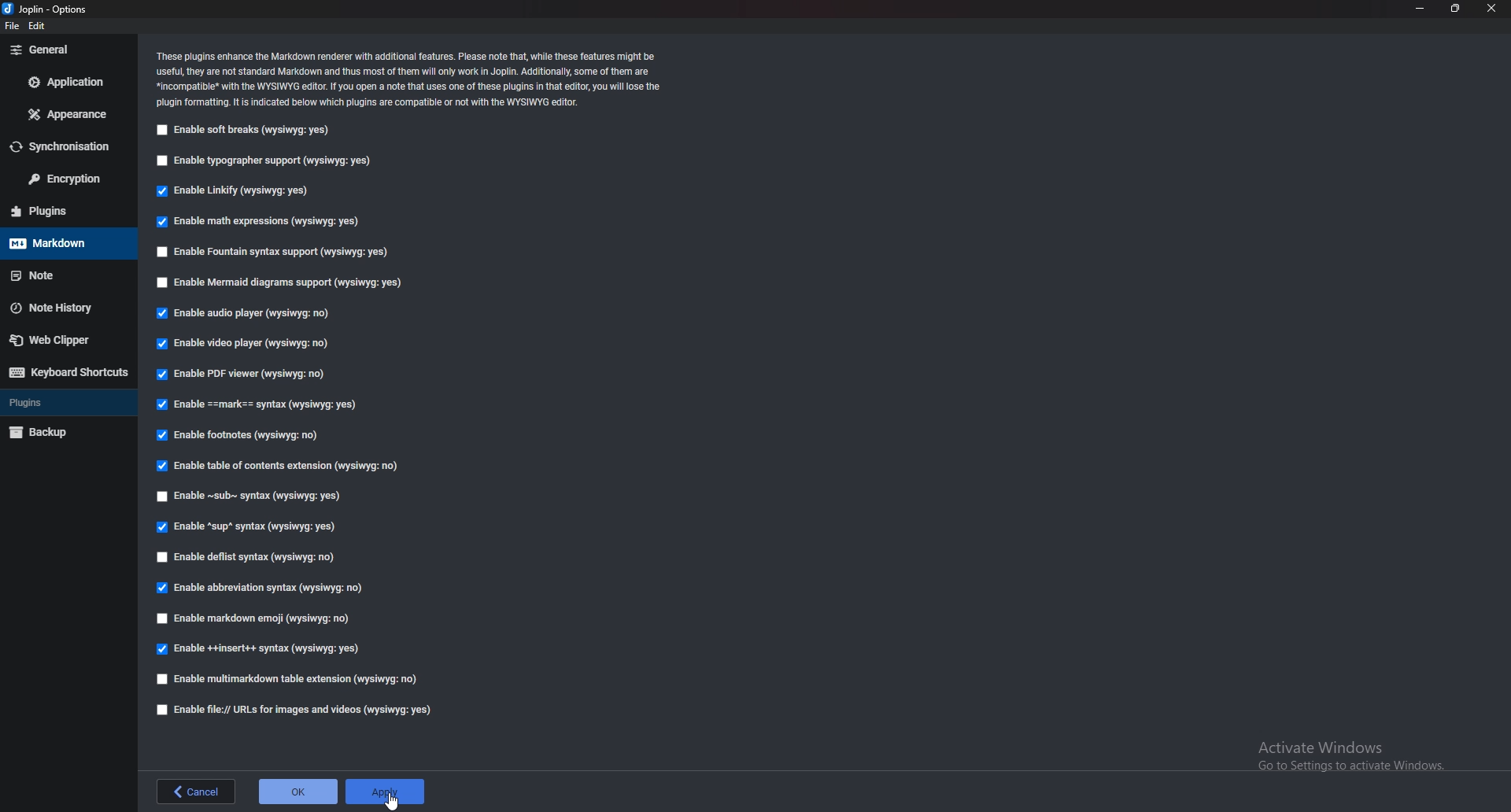 The image size is (1511, 812). Describe the element at coordinates (62, 432) in the screenshot. I see `Backup` at that location.